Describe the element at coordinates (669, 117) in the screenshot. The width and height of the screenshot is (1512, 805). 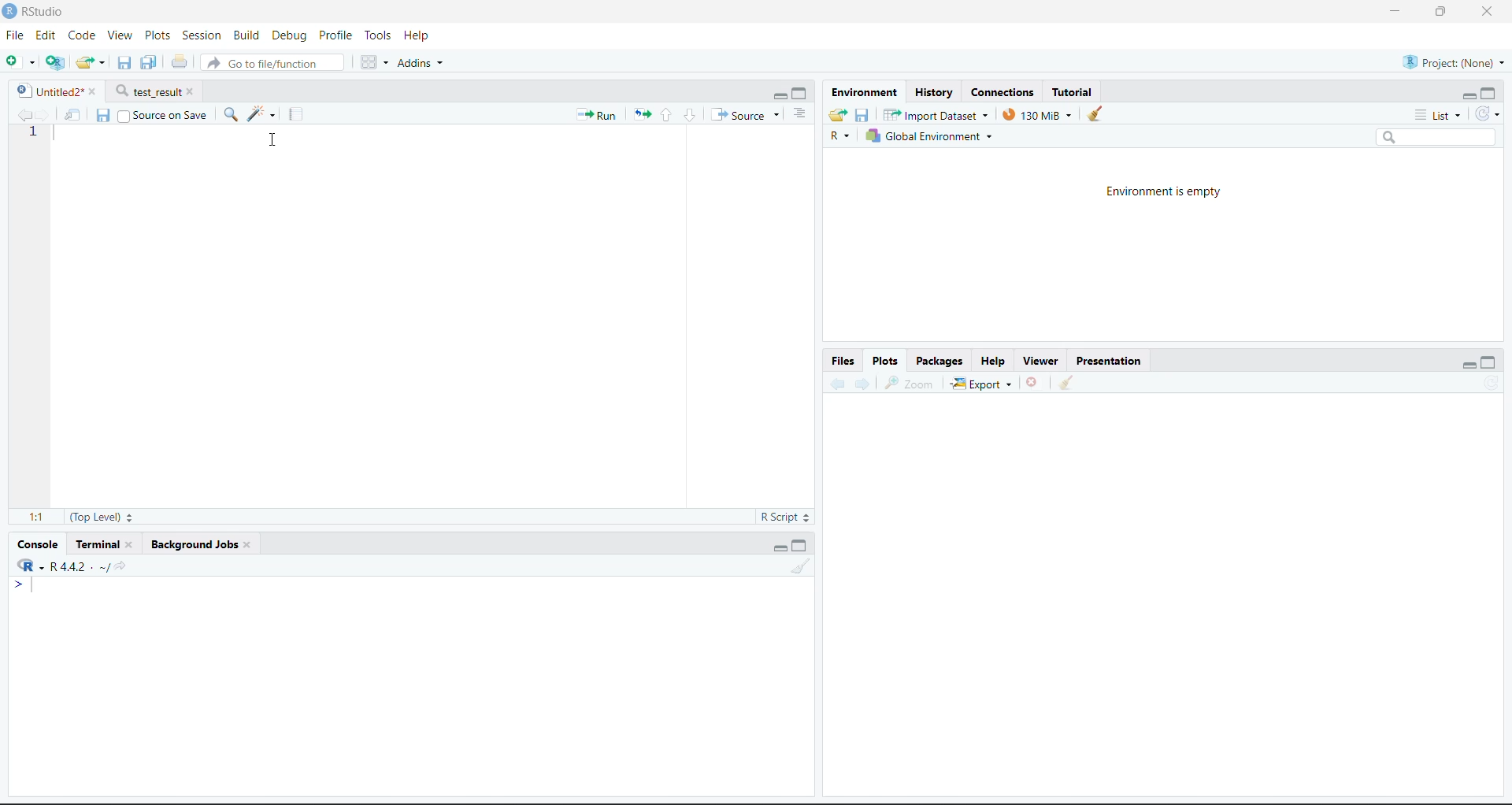
I see `Go to previous section/chunk (Ctrl + PgUp)` at that location.